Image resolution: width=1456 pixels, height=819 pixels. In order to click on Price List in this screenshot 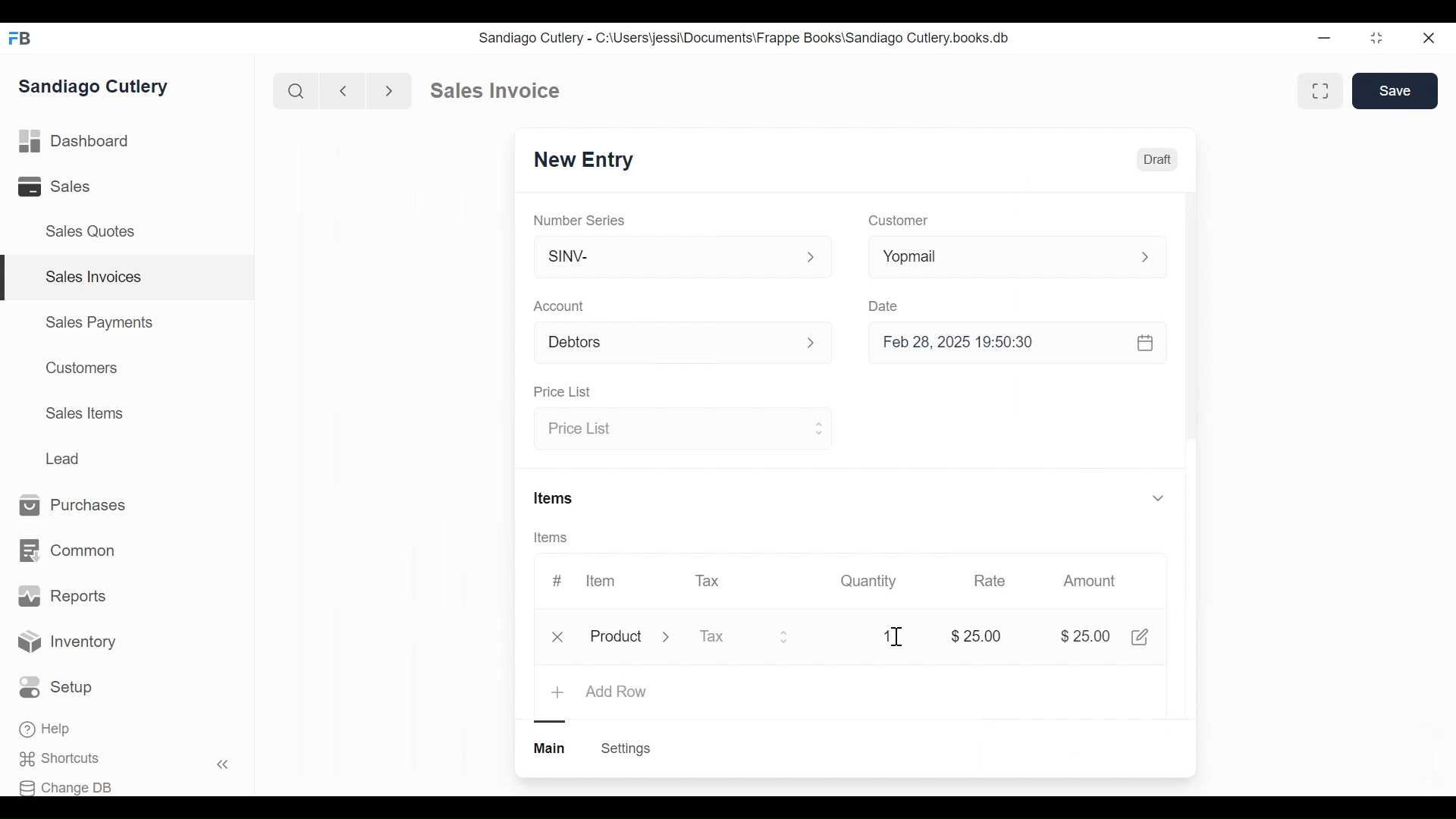, I will do `click(680, 430)`.